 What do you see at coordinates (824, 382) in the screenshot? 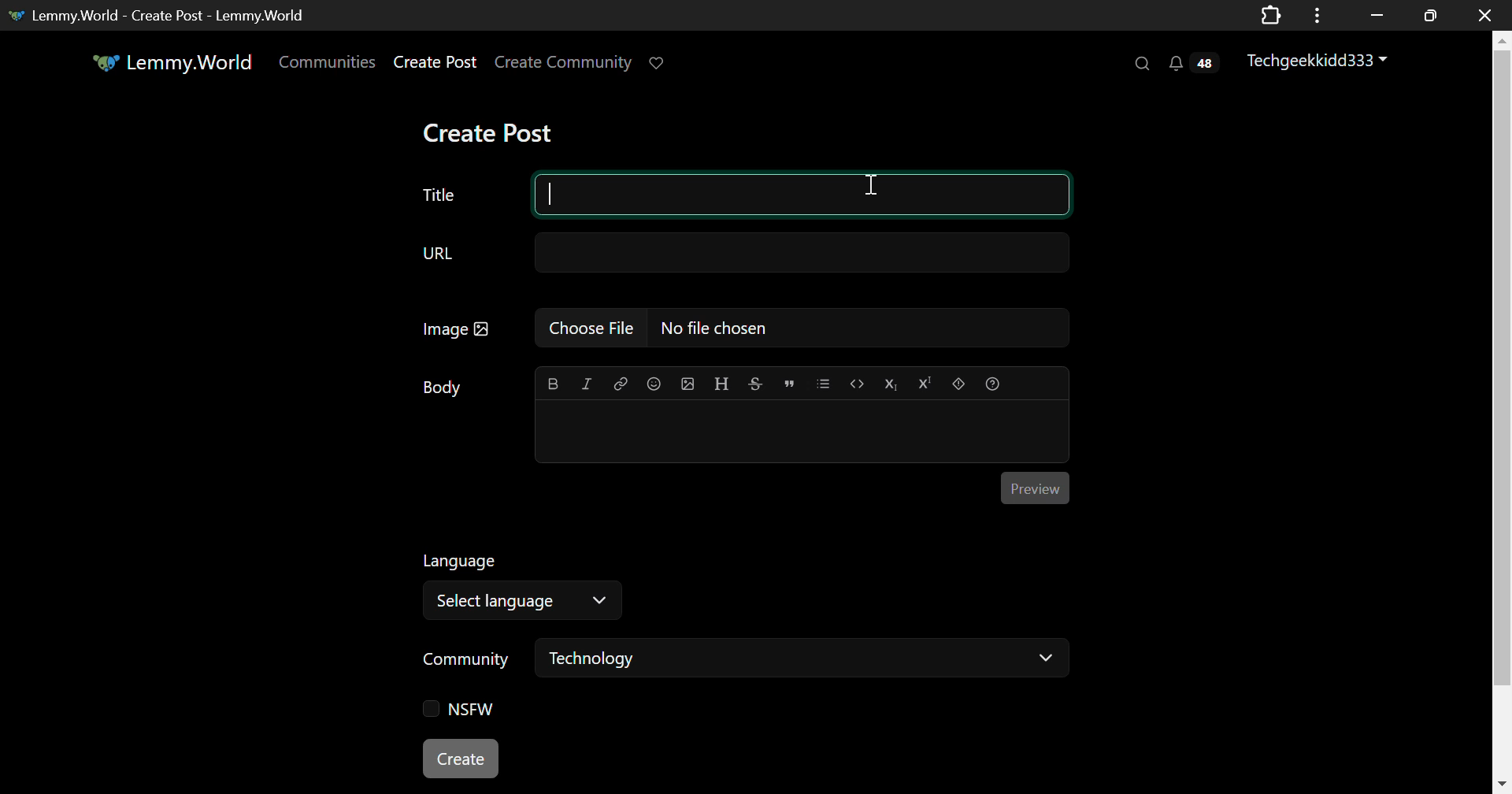
I see `list` at bounding box center [824, 382].